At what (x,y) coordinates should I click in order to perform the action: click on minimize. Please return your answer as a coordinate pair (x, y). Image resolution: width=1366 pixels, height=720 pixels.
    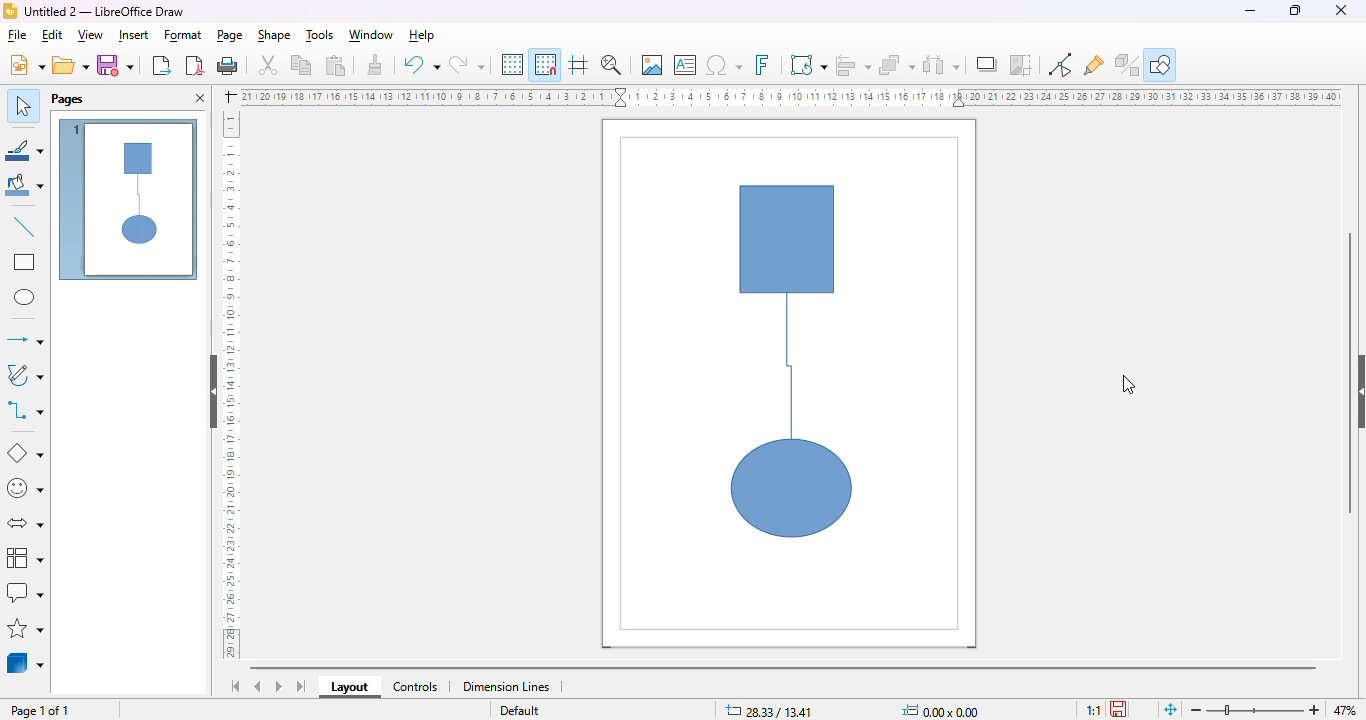
    Looking at the image, I should click on (1250, 11).